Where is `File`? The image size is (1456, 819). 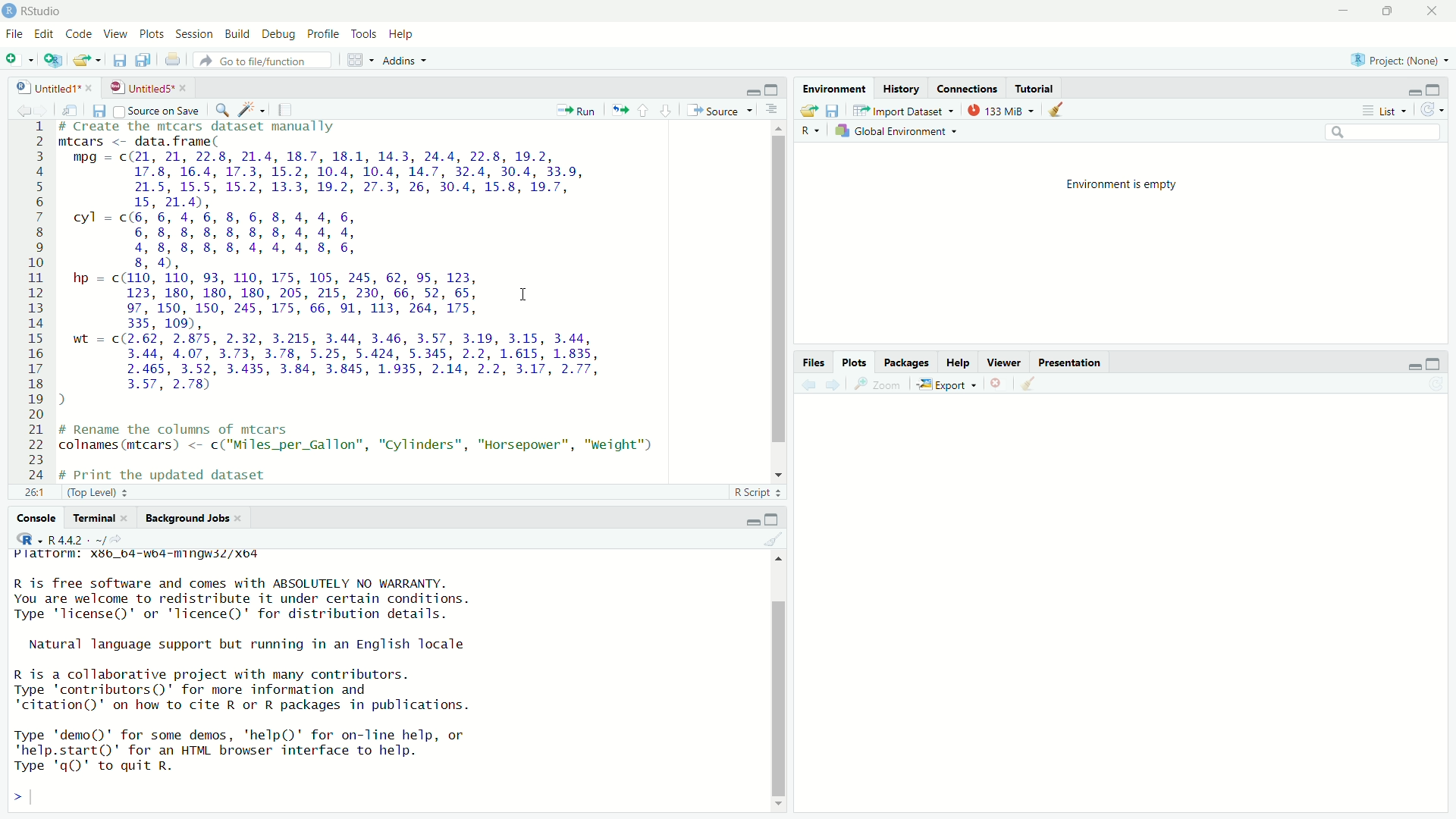 File is located at coordinates (14, 33).